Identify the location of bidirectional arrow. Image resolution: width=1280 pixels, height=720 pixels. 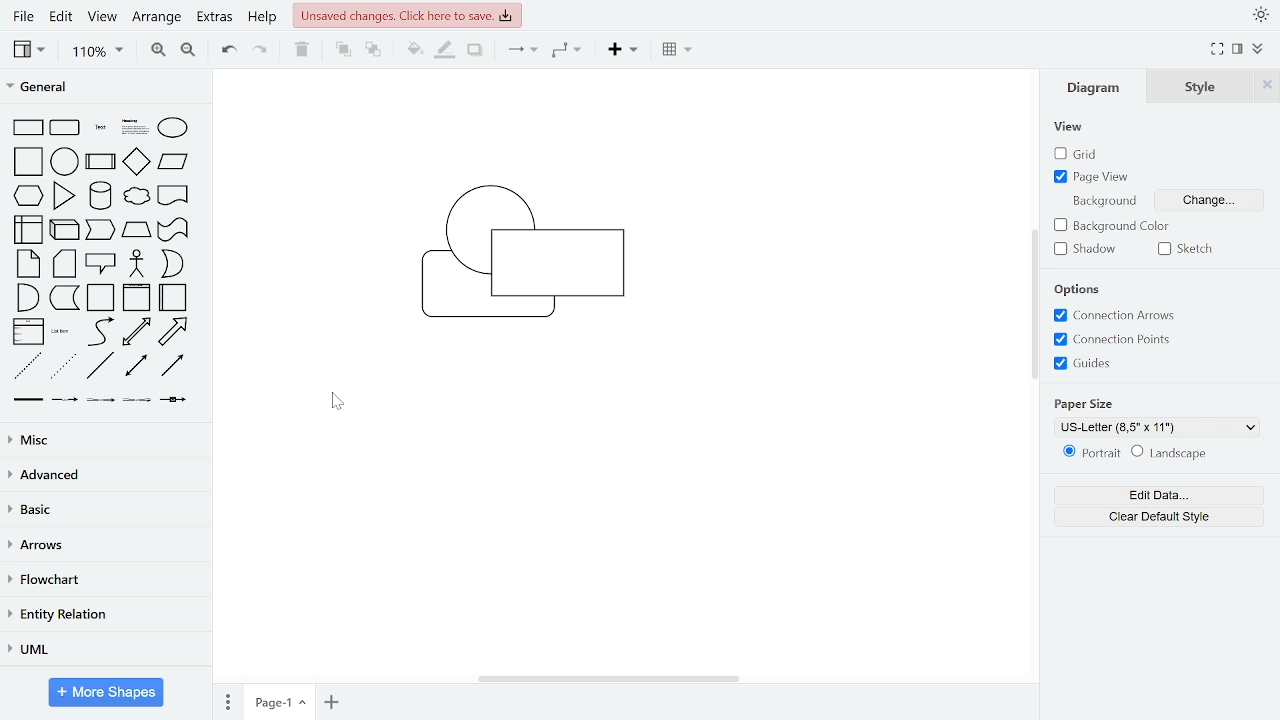
(137, 333).